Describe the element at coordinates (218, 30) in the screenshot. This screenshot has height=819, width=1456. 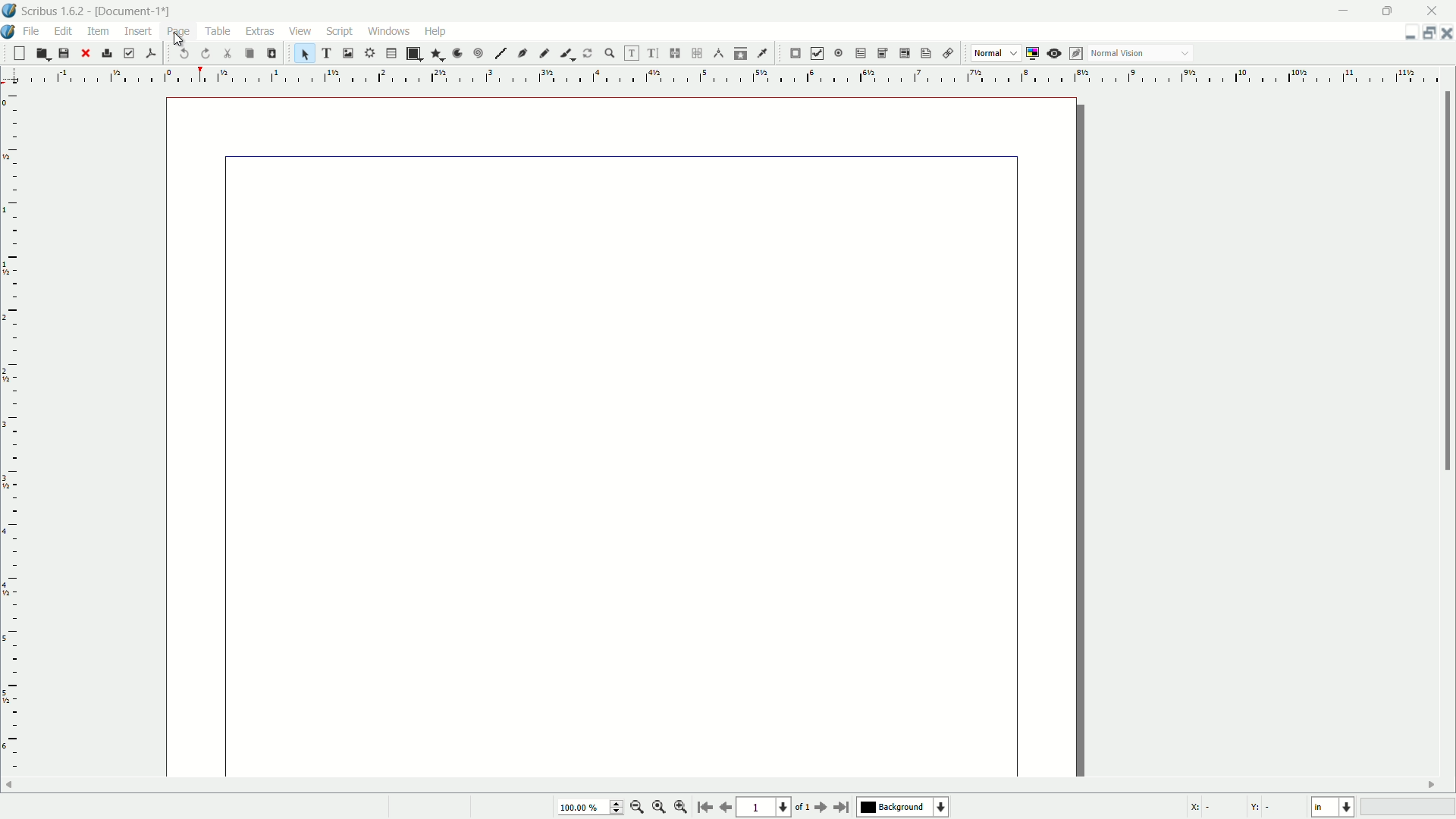
I see `table menu` at that location.